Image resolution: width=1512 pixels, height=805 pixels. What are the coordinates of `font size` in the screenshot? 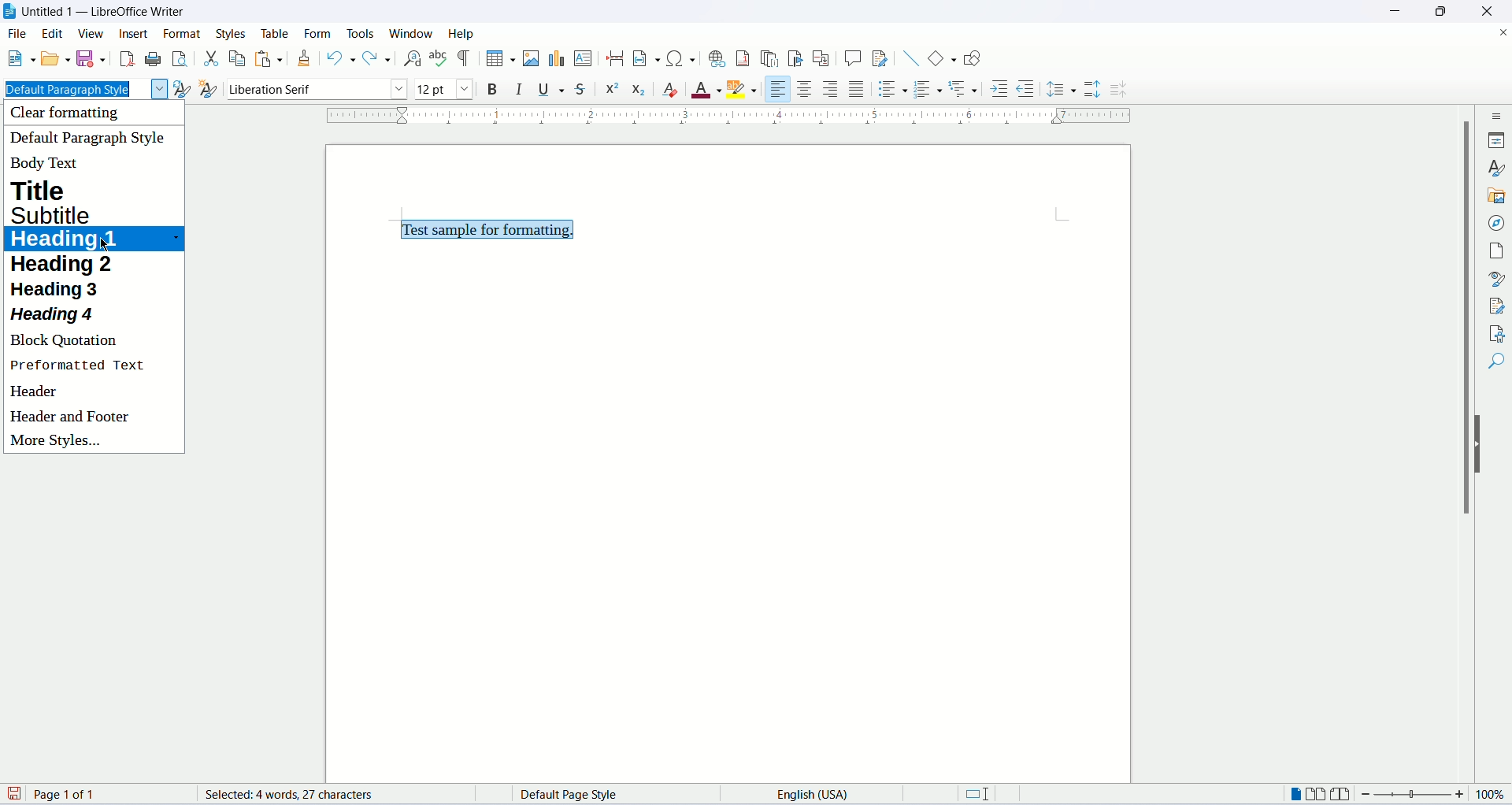 It's located at (443, 89).